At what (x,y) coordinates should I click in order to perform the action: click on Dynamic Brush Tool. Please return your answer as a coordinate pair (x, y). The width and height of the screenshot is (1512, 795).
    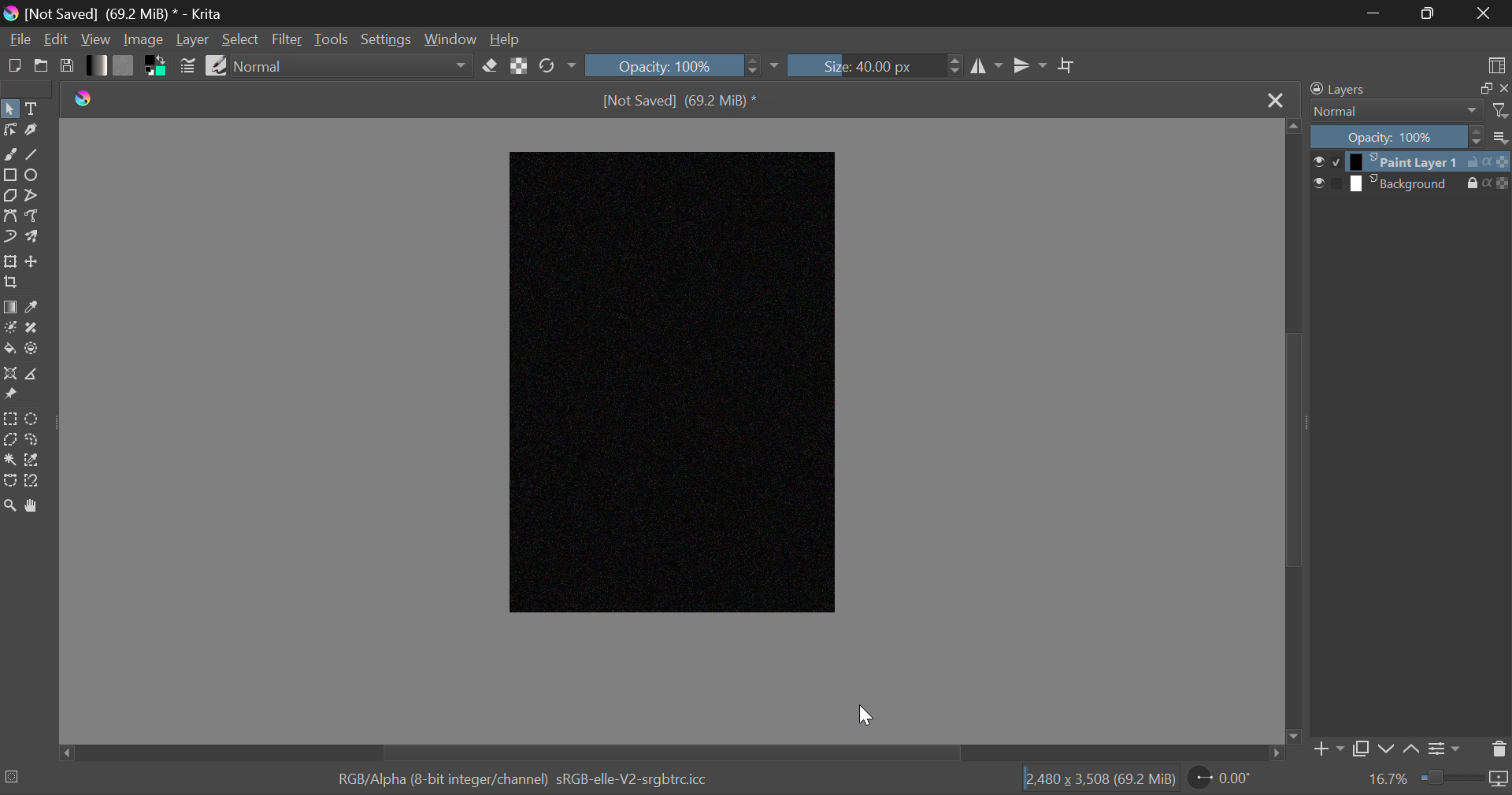
    Looking at the image, I should click on (9, 238).